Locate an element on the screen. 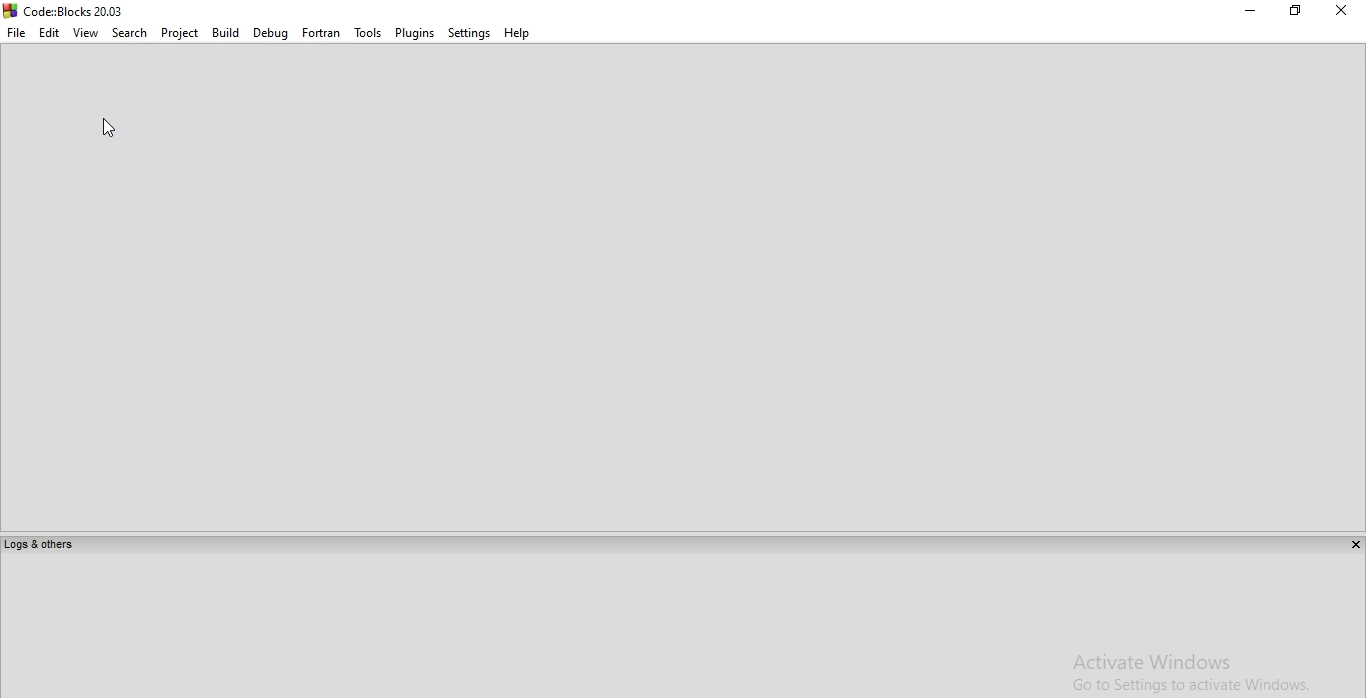  Help is located at coordinates (519, 31).